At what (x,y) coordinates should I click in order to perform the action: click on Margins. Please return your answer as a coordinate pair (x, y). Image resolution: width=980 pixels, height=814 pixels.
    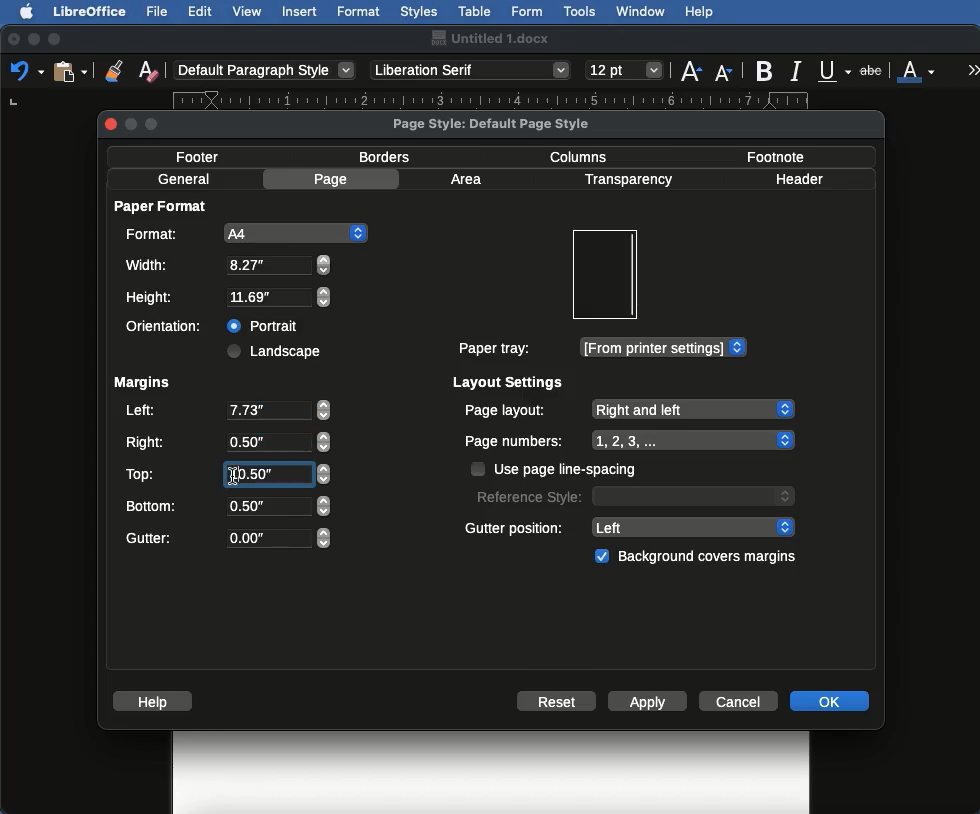
    Looking at the image, I should click on (141, 383).